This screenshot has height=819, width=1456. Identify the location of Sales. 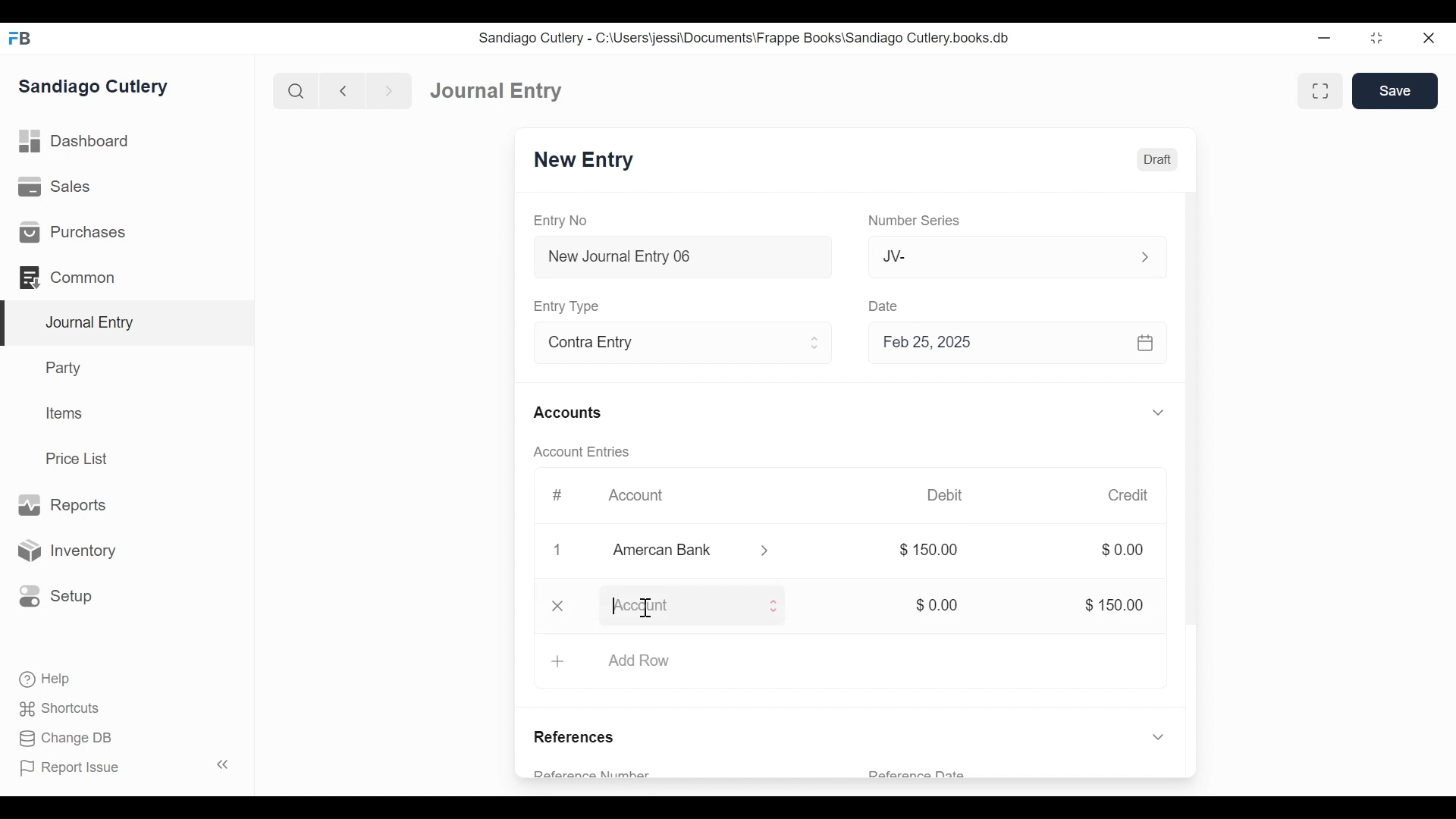
(60, 187).